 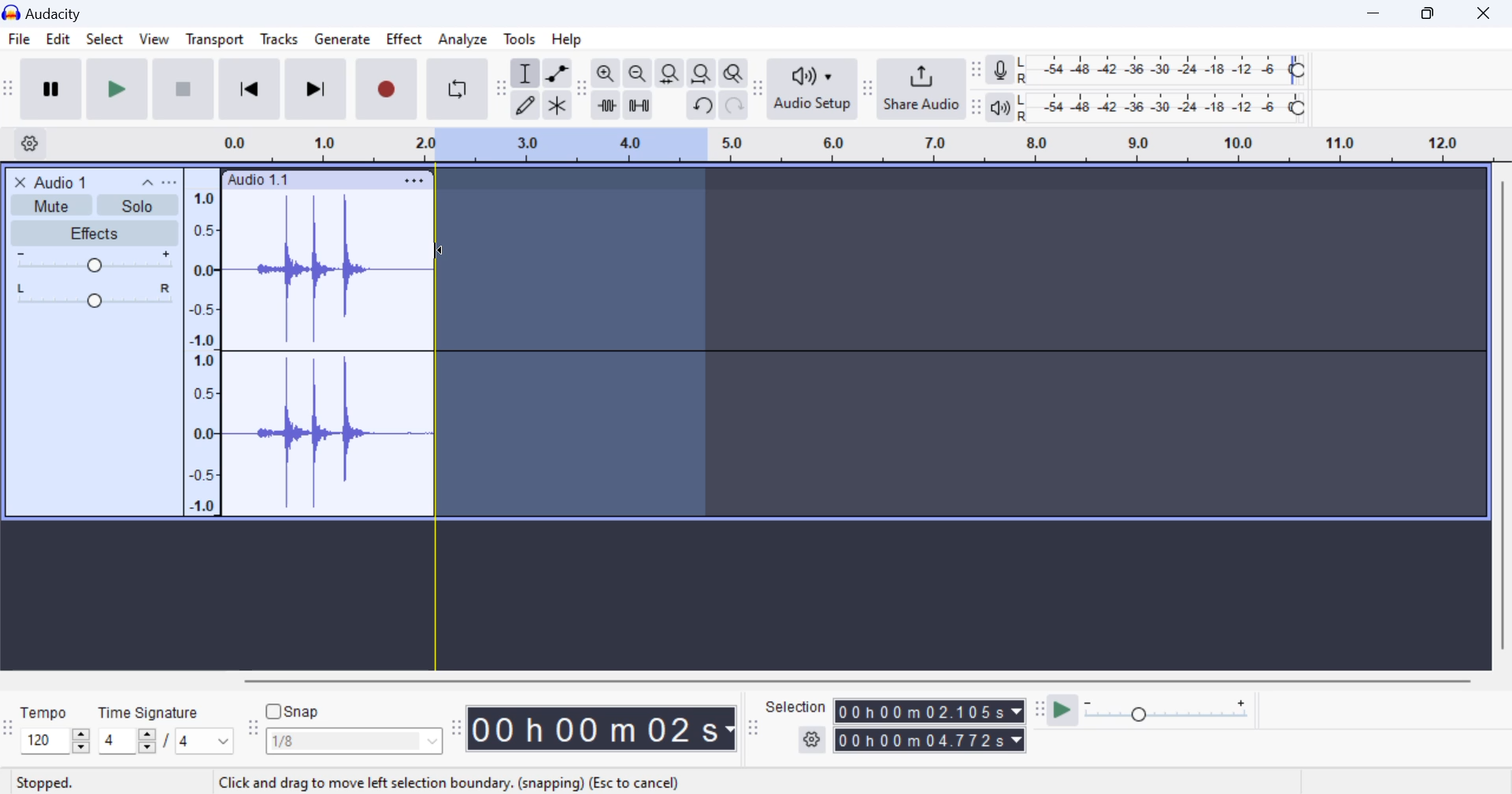 I want to click on Analyze, so click(x=463, y=39).